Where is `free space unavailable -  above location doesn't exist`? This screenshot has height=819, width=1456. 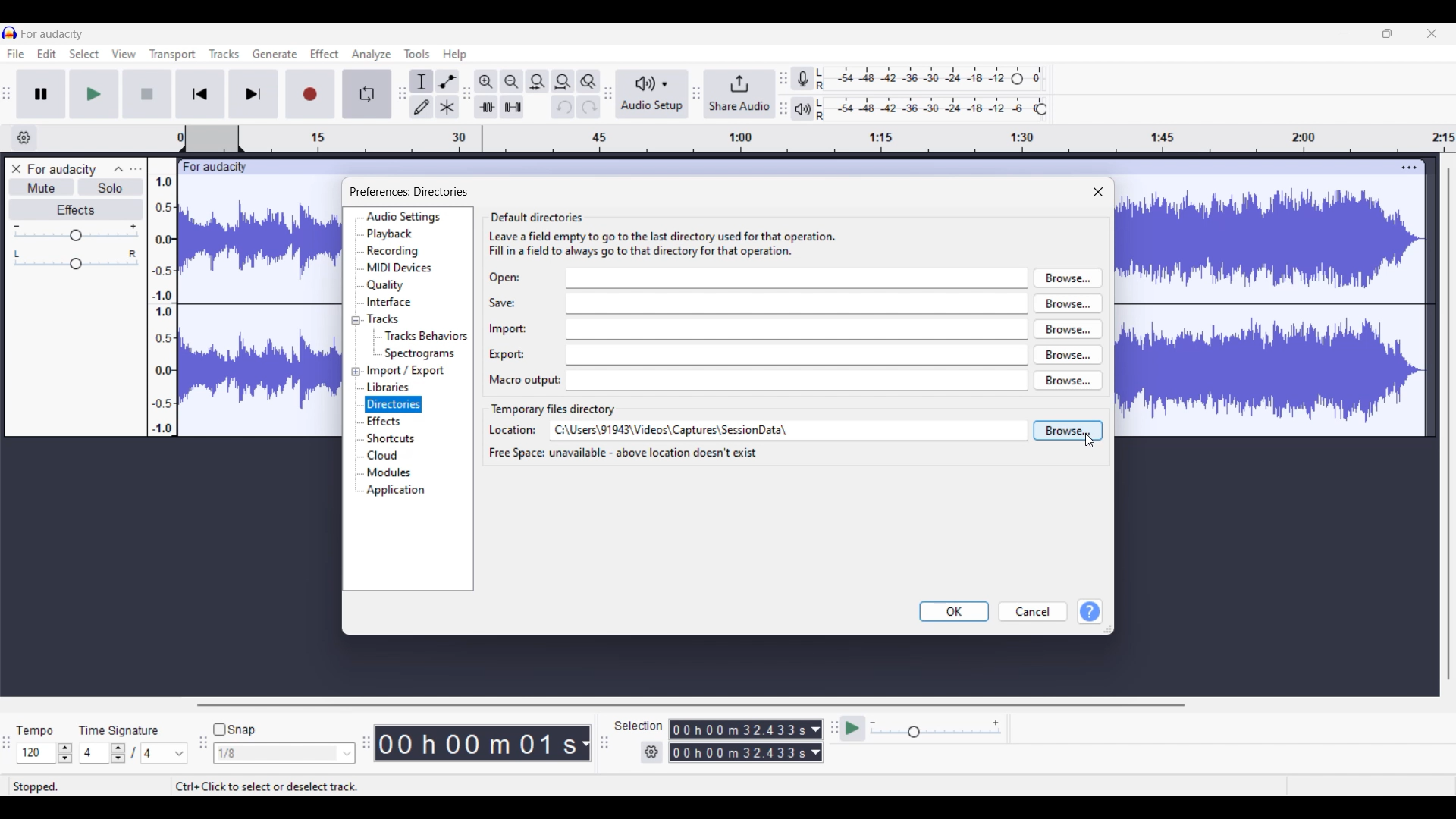
free space unavailable -  above location doesn't exist is located at coordinates (623, 453).